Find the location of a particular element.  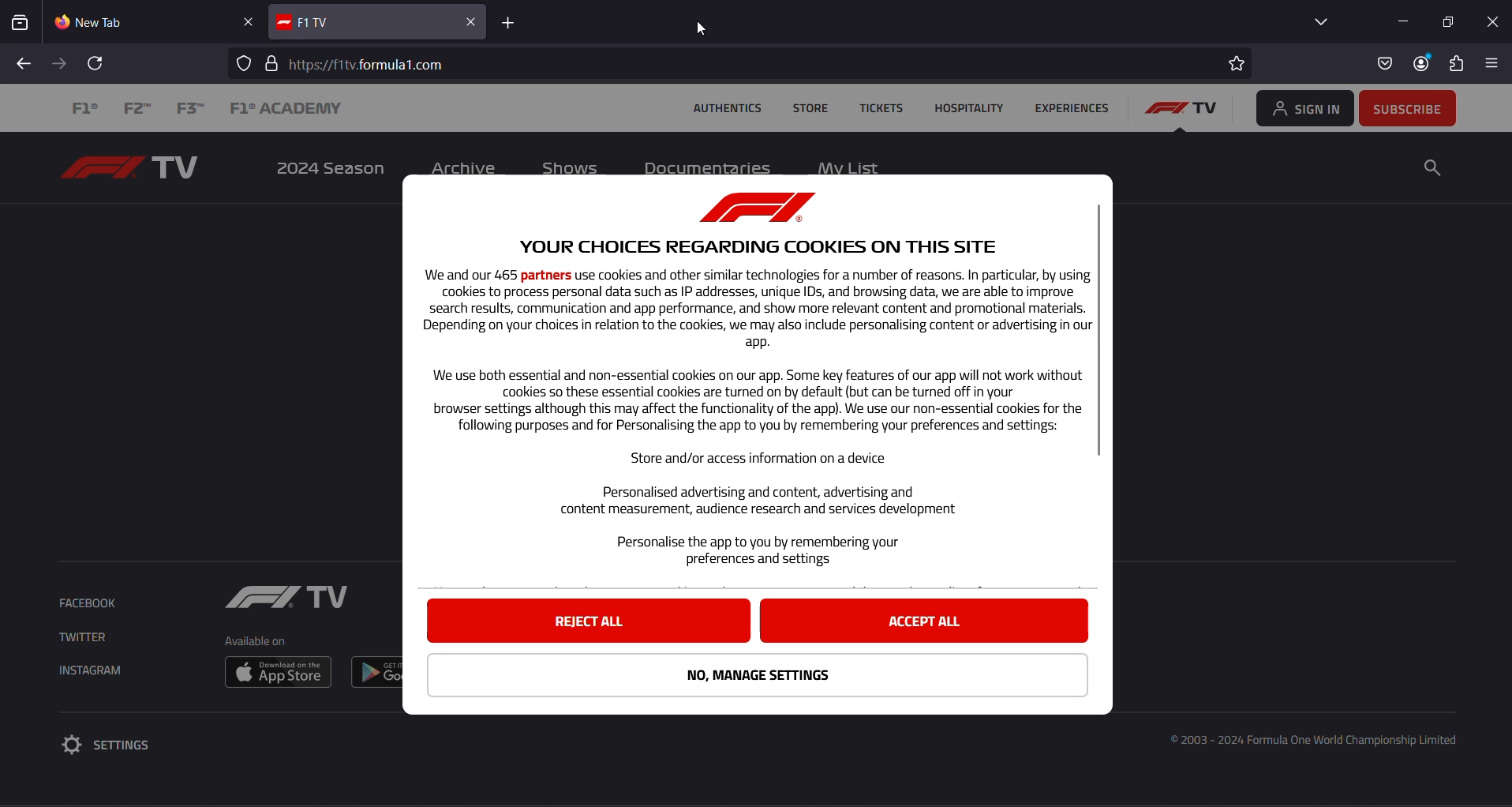

minimize is located at coordinates (1405, 18).